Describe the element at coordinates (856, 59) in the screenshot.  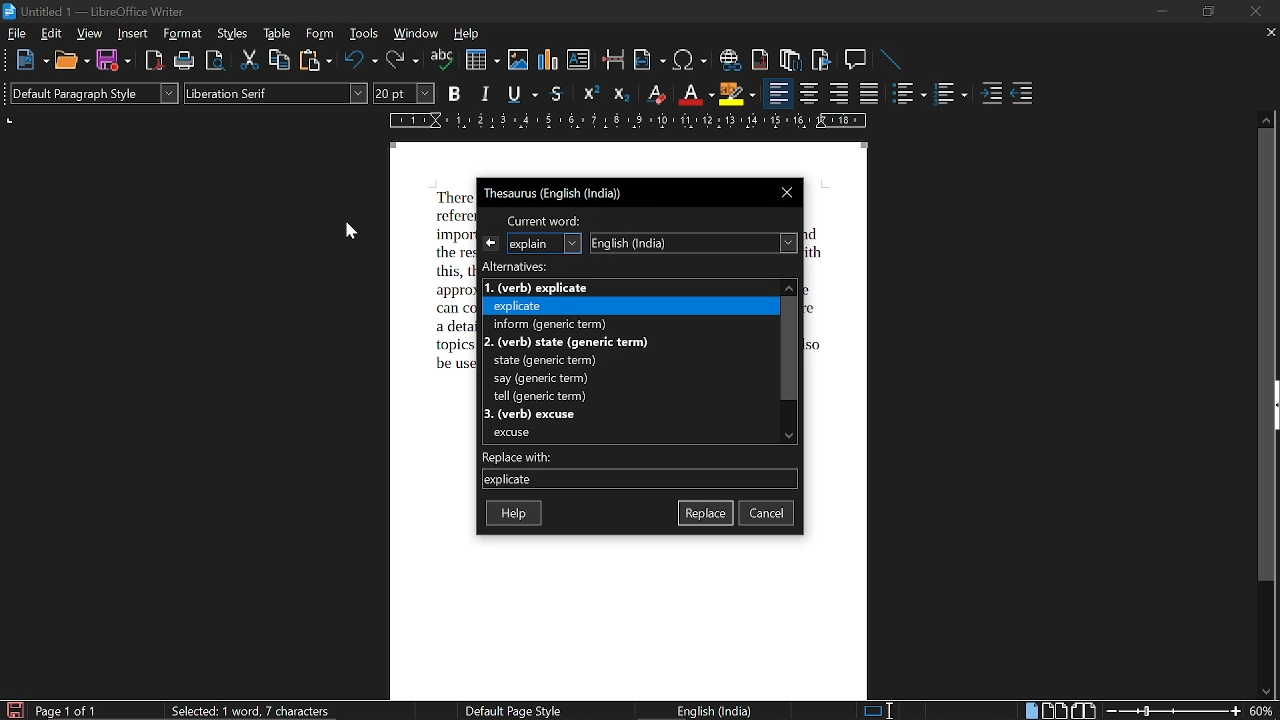
I see `insert comment` at that location.